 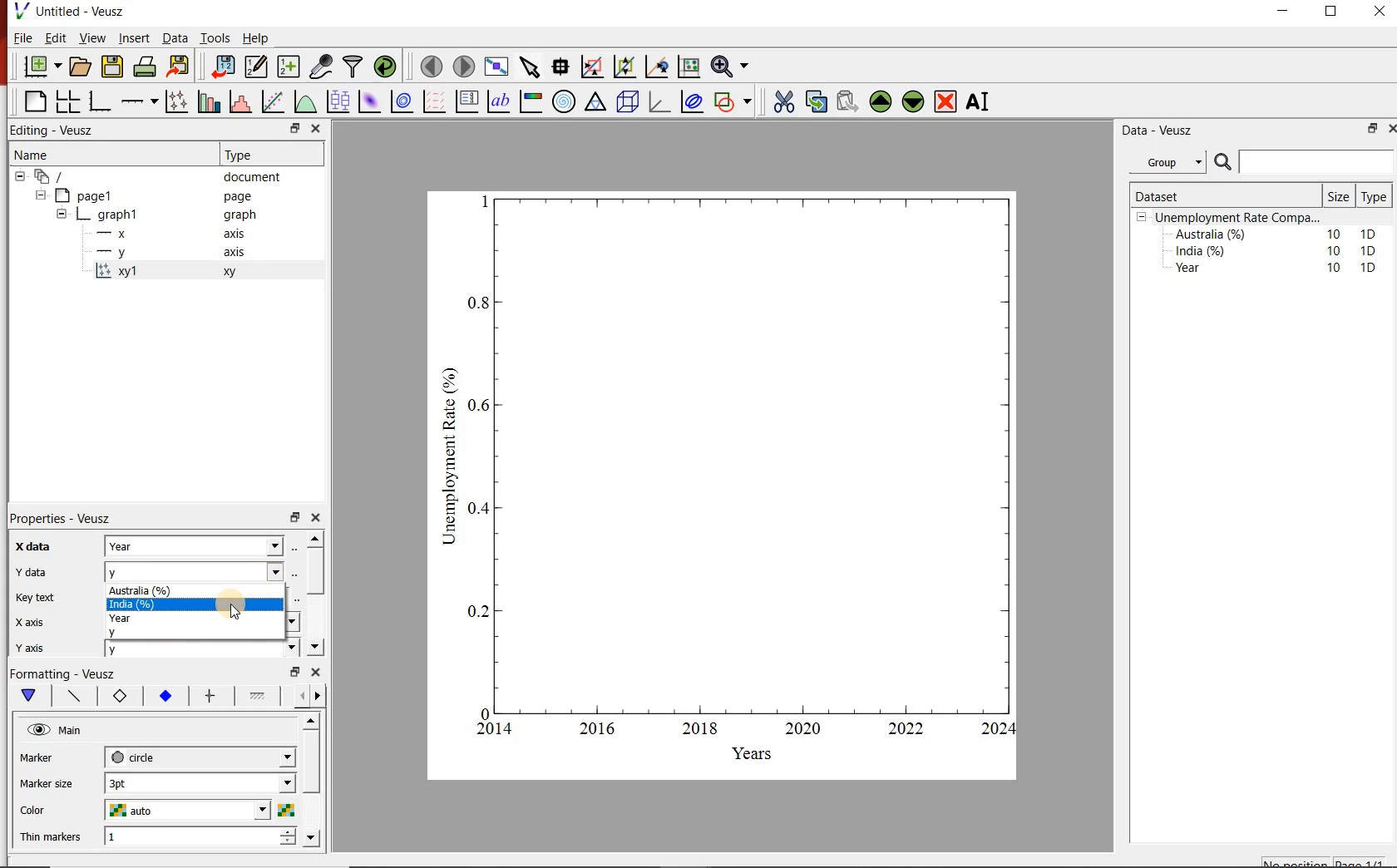 What do you see at coordinates (531, 102) in the screenshot?
I see `image color bar` at bounding box center [531, 102].